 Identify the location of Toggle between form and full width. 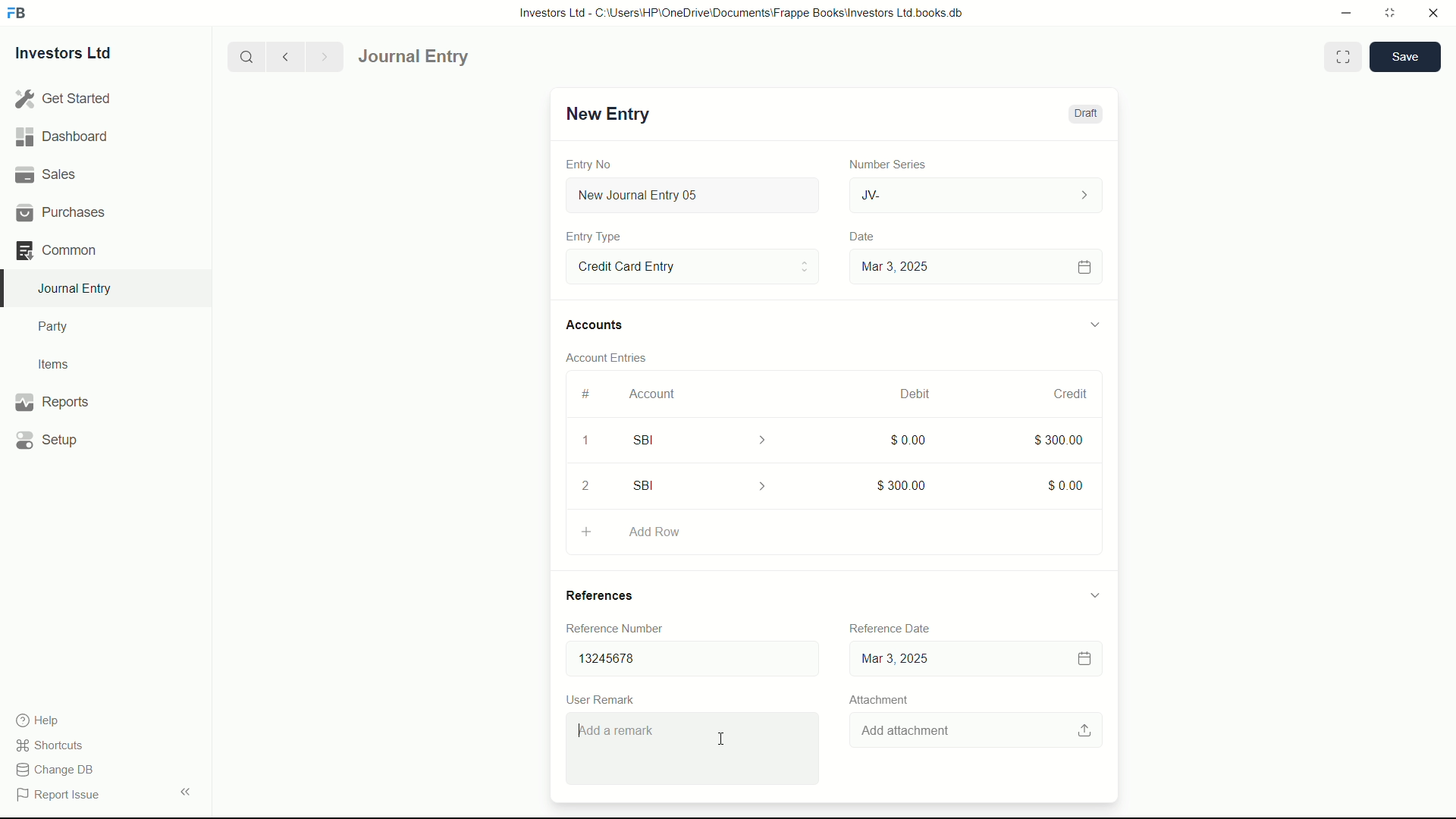
(1344, 57).